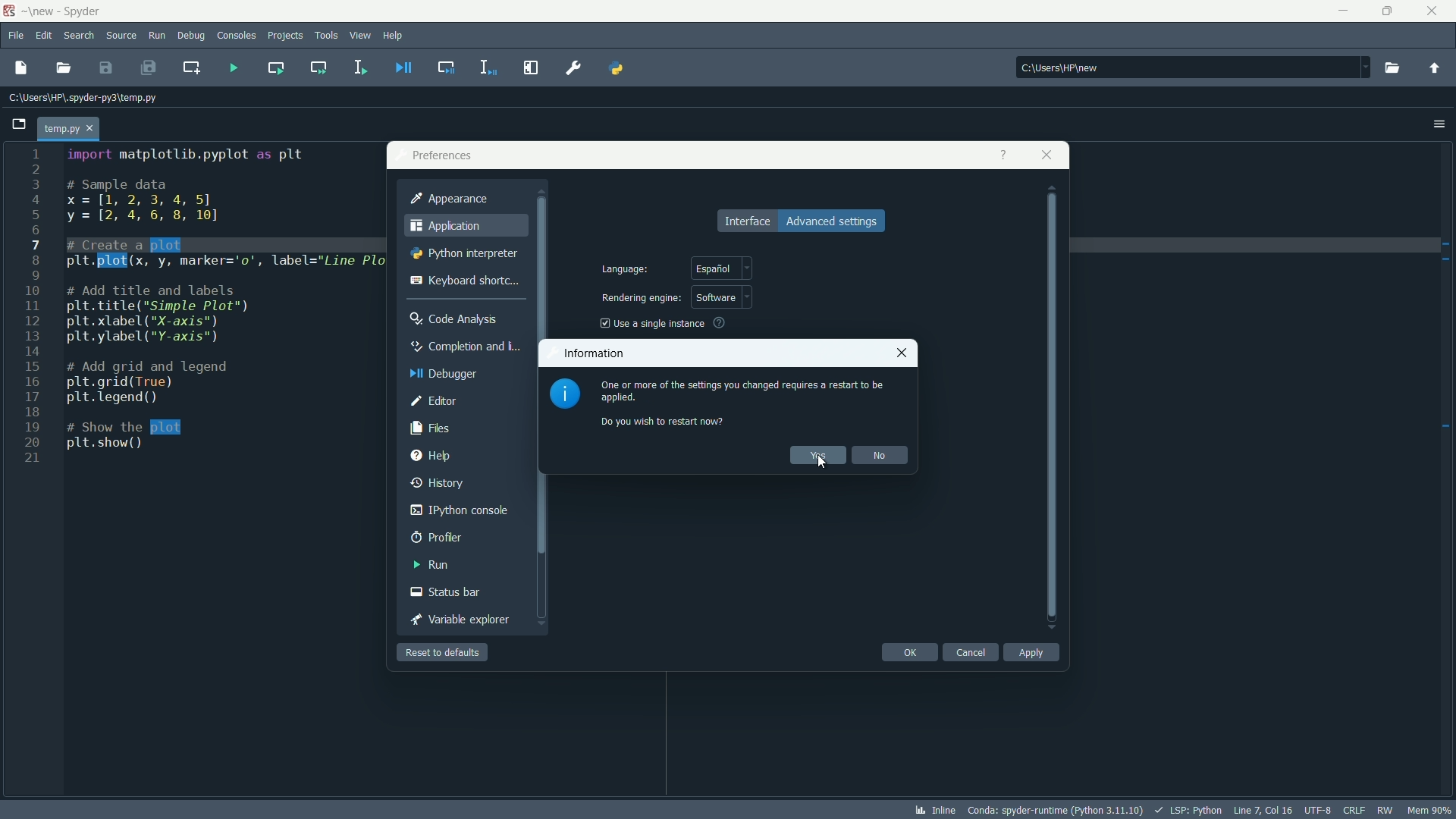  I want to click on preferences, so click(576, 67).